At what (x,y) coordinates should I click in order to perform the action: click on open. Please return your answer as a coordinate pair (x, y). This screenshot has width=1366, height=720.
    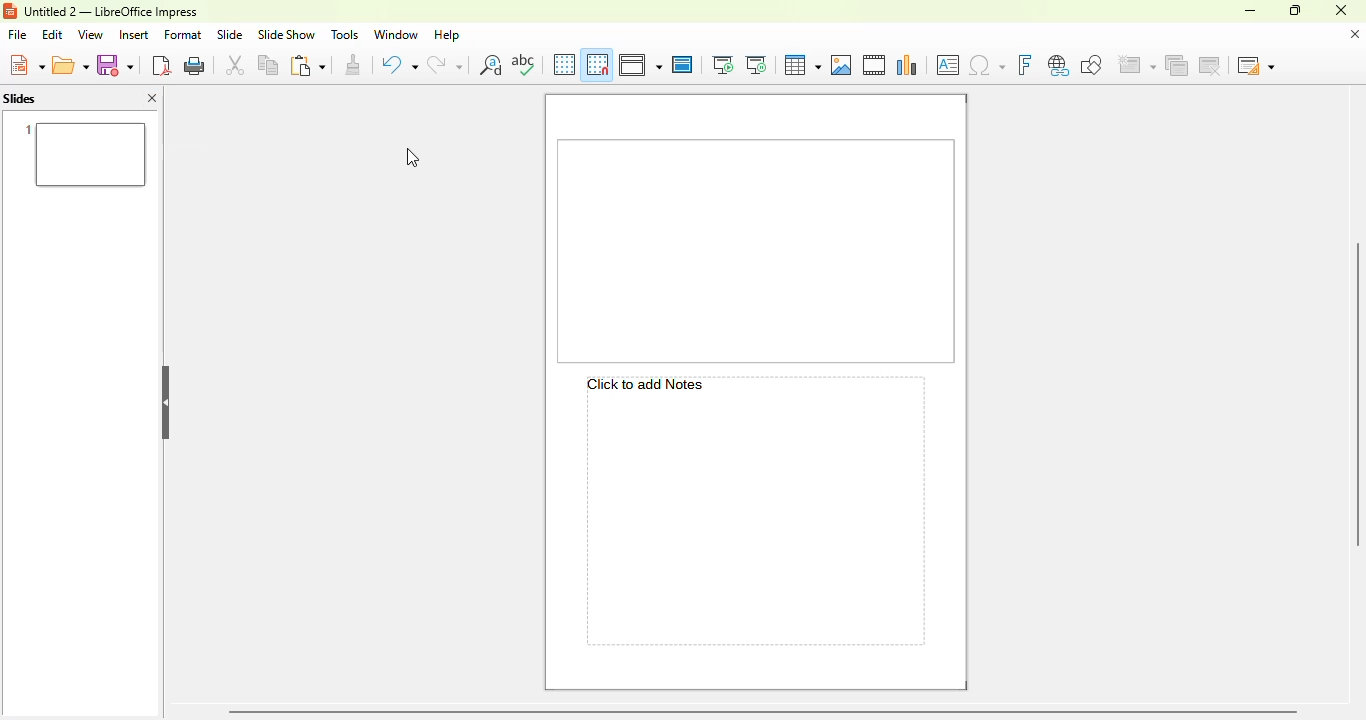
    Looking at the image, I should click on (71, 64).